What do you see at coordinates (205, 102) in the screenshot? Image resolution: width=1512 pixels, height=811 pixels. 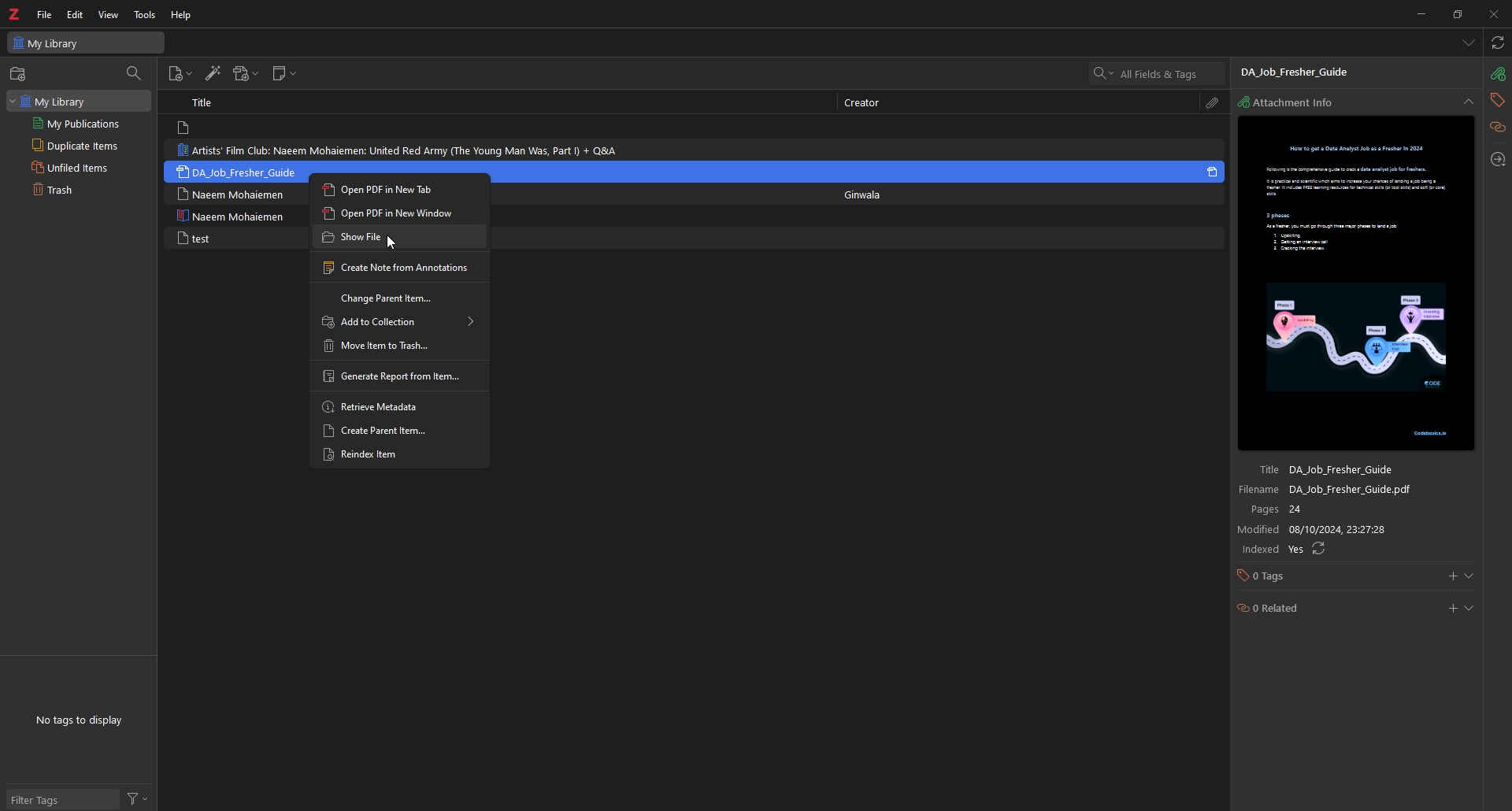 I see `title` at bounding box center [205, 102].